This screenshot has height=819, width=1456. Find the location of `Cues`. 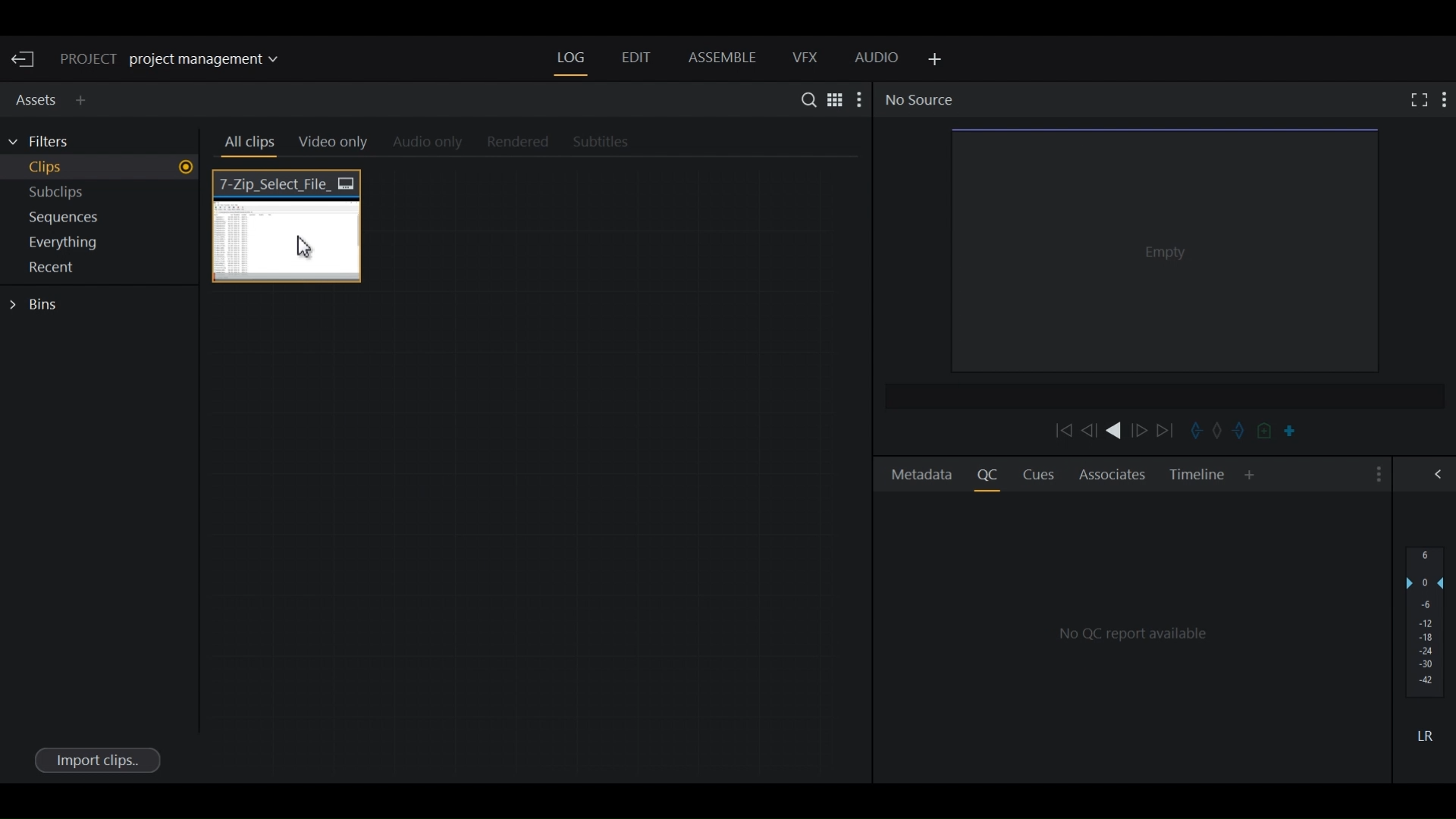

Cues is located at coordinates (1040, 475).